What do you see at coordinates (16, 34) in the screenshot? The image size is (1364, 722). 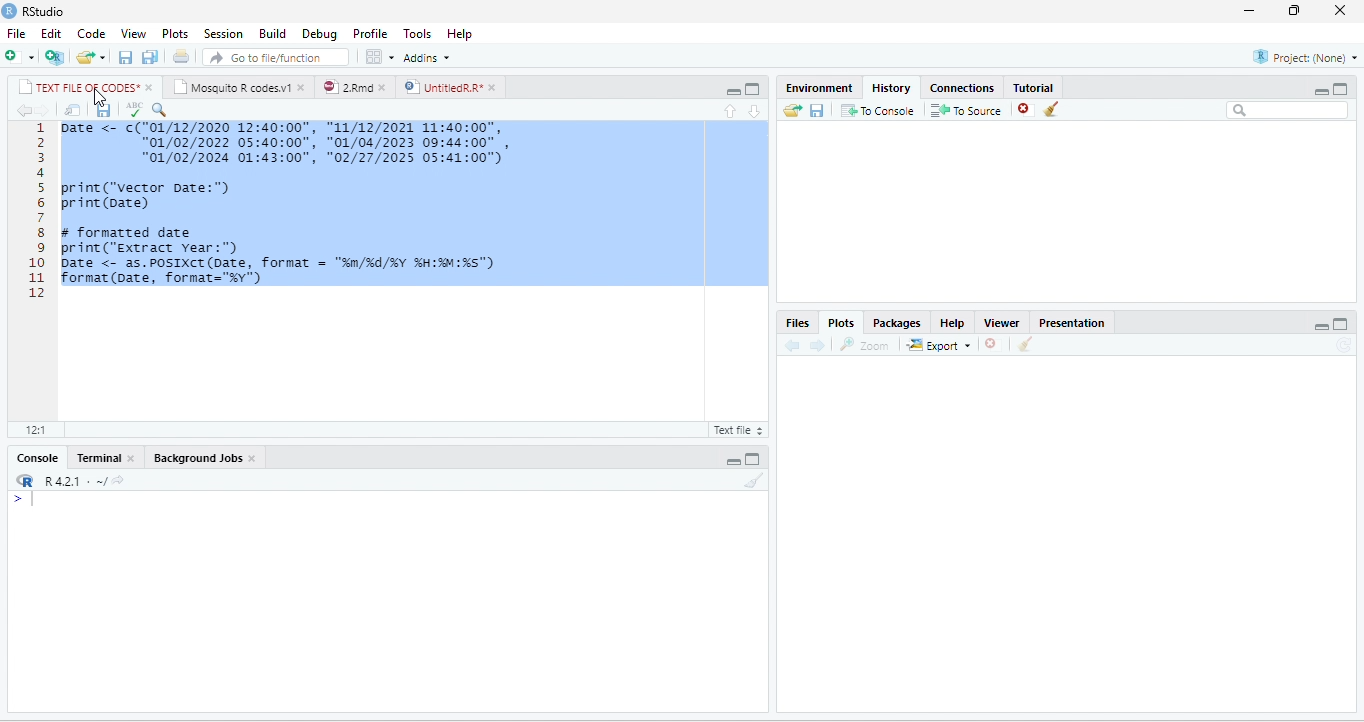 I see `File` at bounding box center [16, 34].